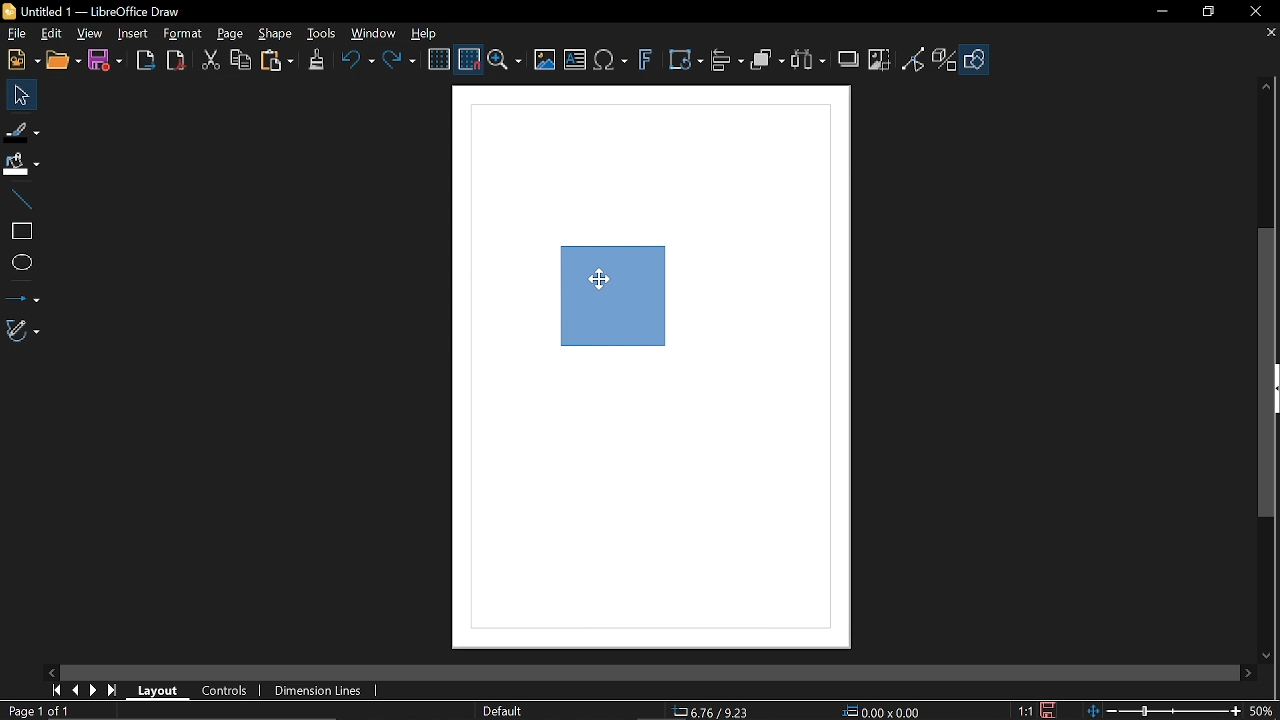 The width and height of the screenshot is (1280, 720). What do you see at coordinates (9, 12) in the screenshot?
I see `LibreOffice Logo` at bounding box center [9, 12].